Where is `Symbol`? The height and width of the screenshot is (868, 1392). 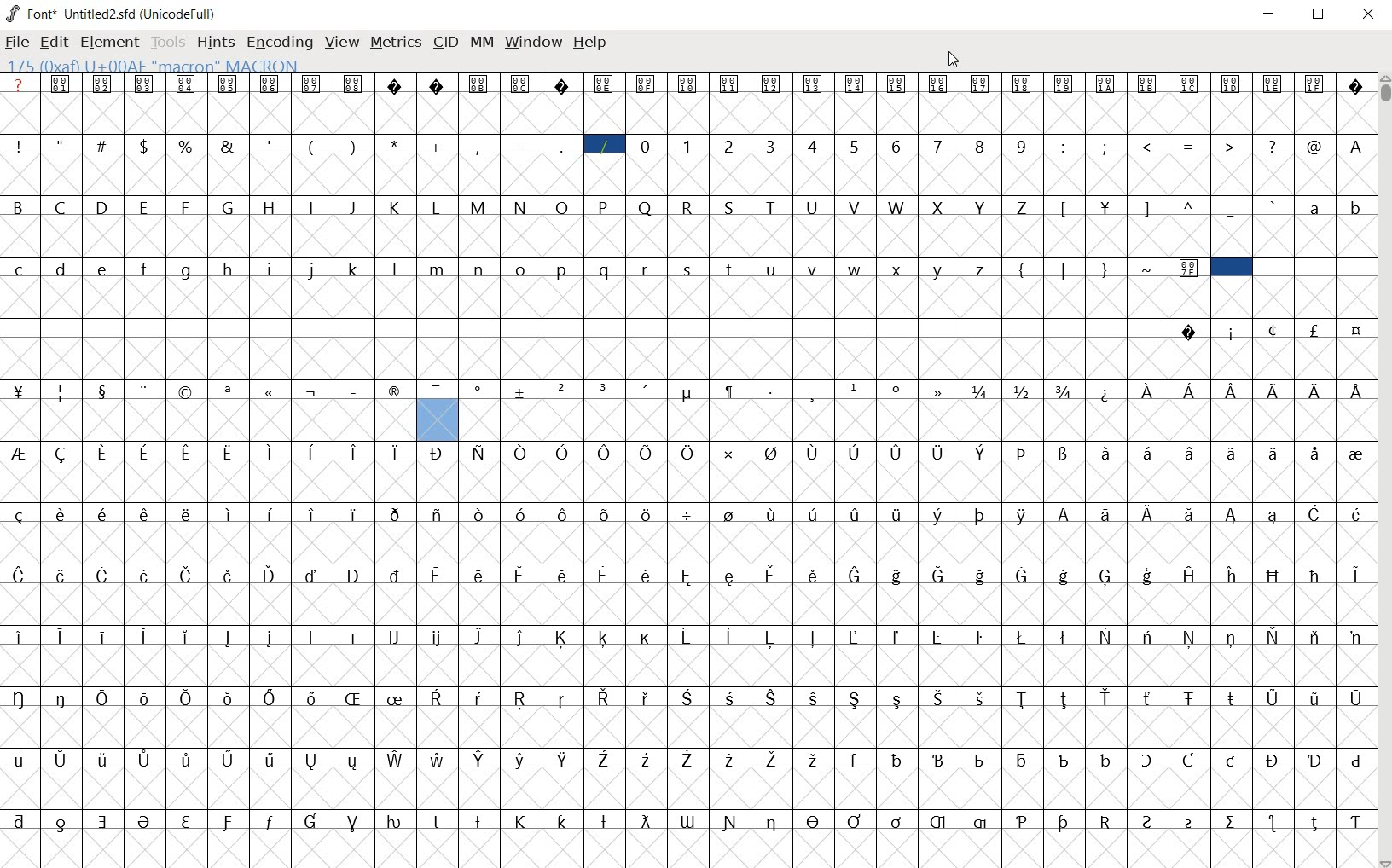
Symbol is located at coordinates (1315, 696).